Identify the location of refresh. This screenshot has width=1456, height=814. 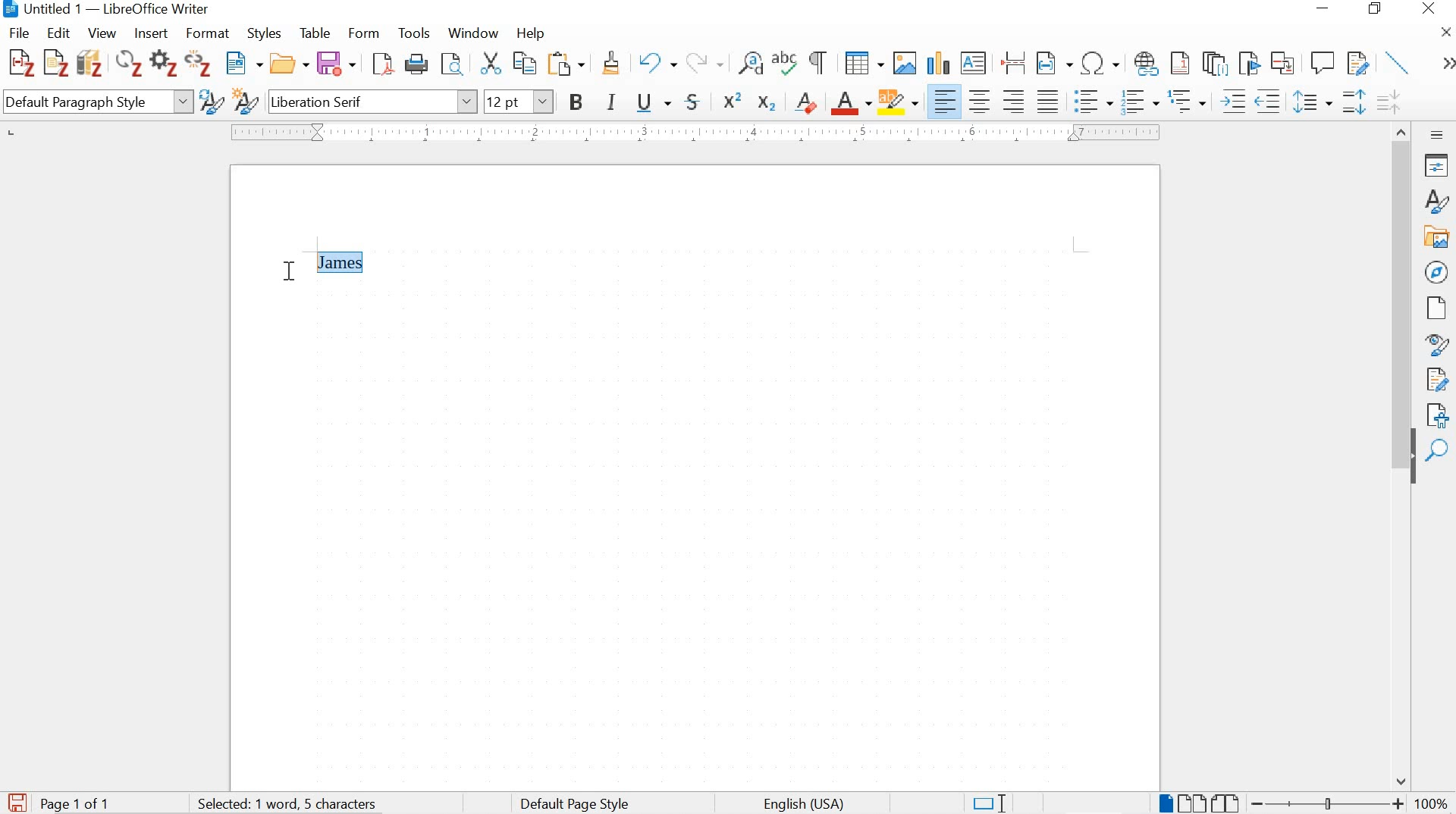
(127, 65).